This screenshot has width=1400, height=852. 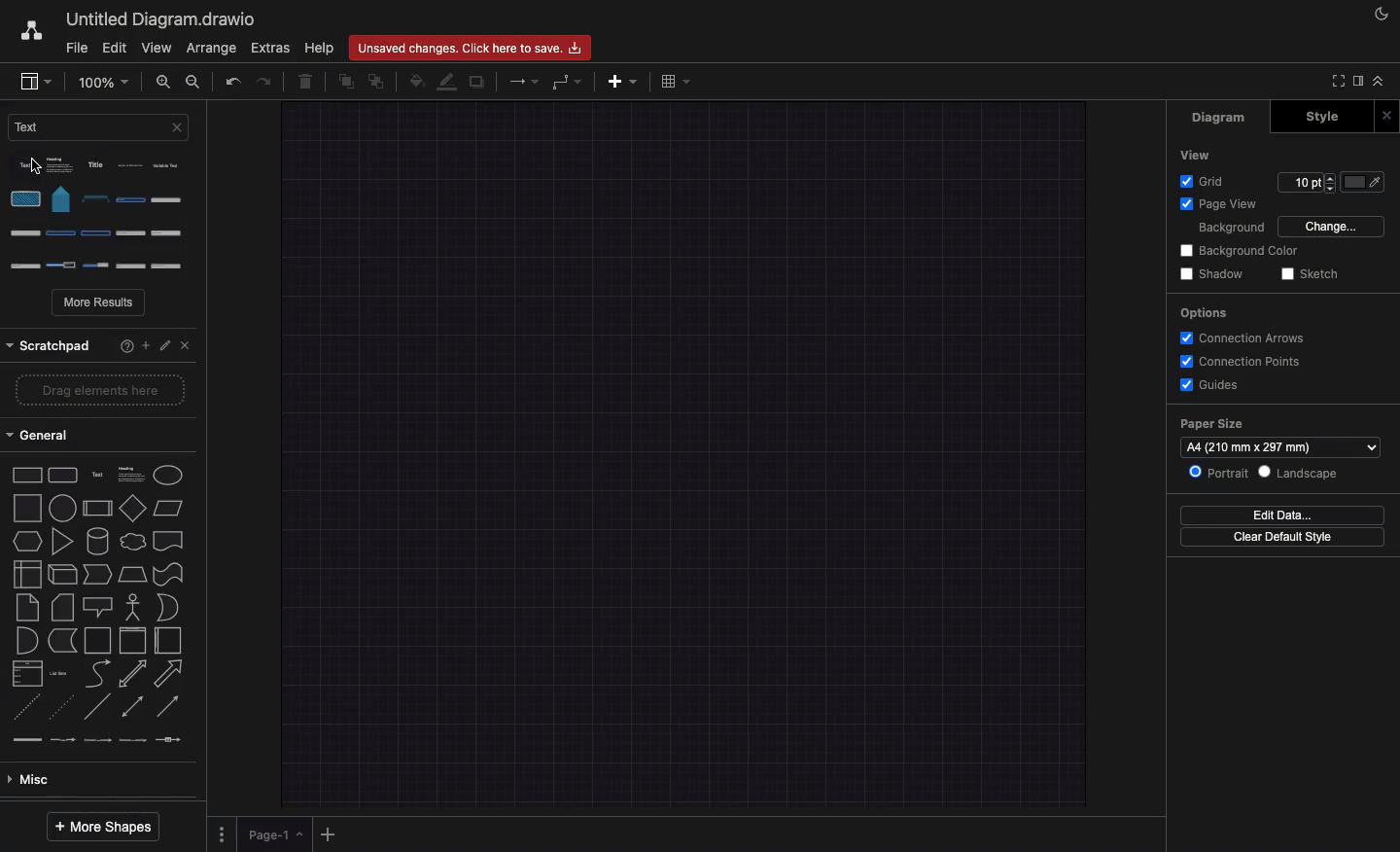 I want to click on Diagram, so click(x=1228, y=119).